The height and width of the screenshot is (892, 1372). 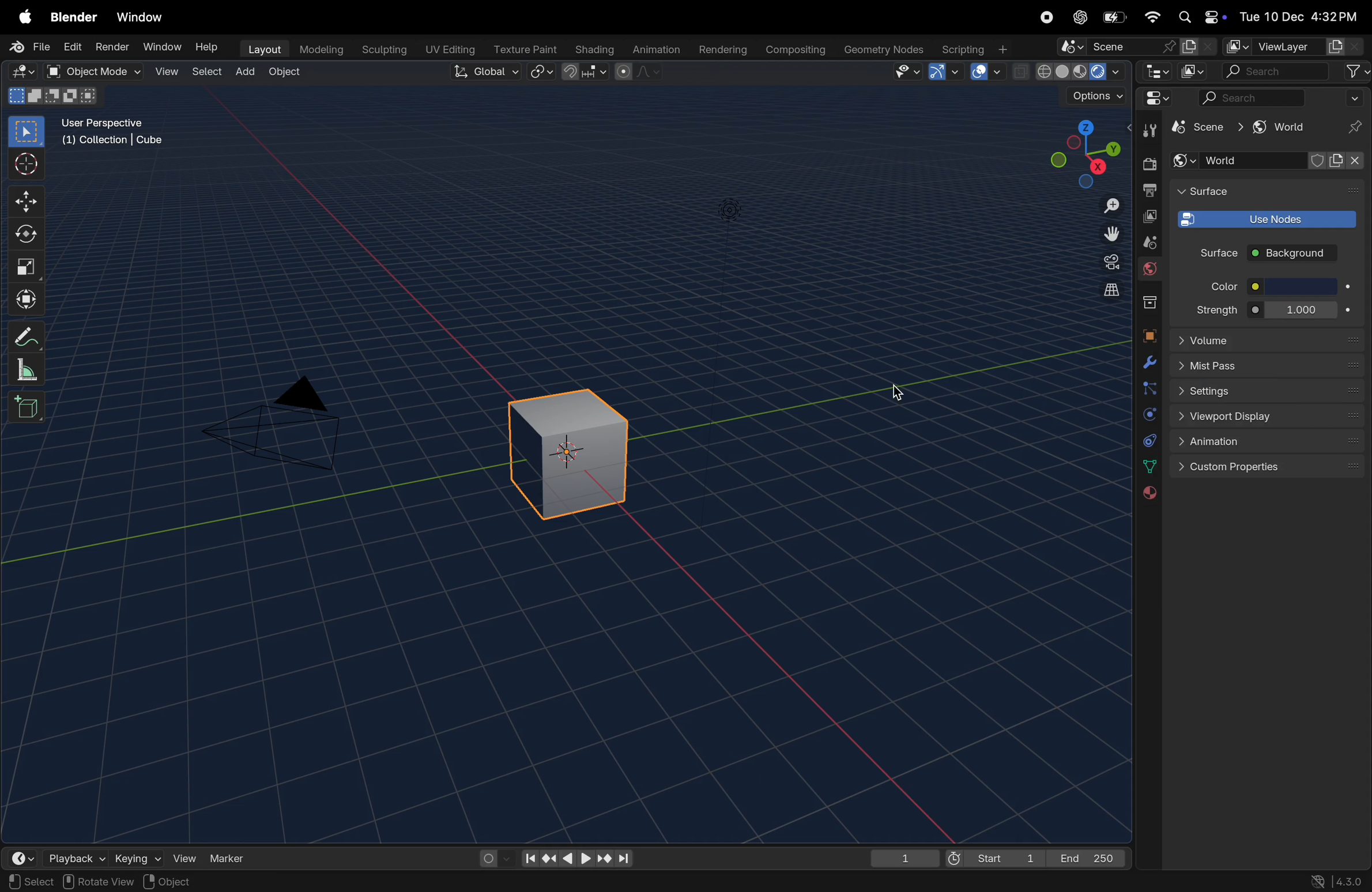 I want to click on surface, so click(x=1208, y=192).